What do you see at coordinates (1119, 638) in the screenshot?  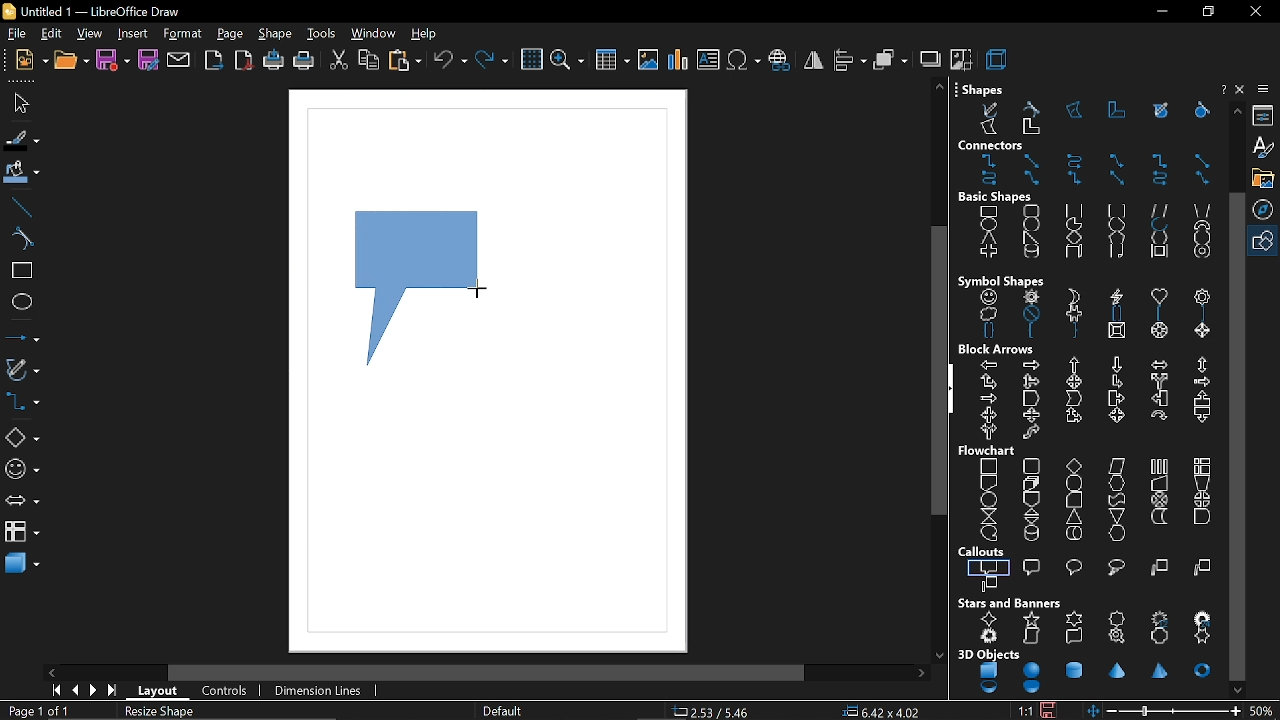 I see `signet` at bounding box center [1119, 638].